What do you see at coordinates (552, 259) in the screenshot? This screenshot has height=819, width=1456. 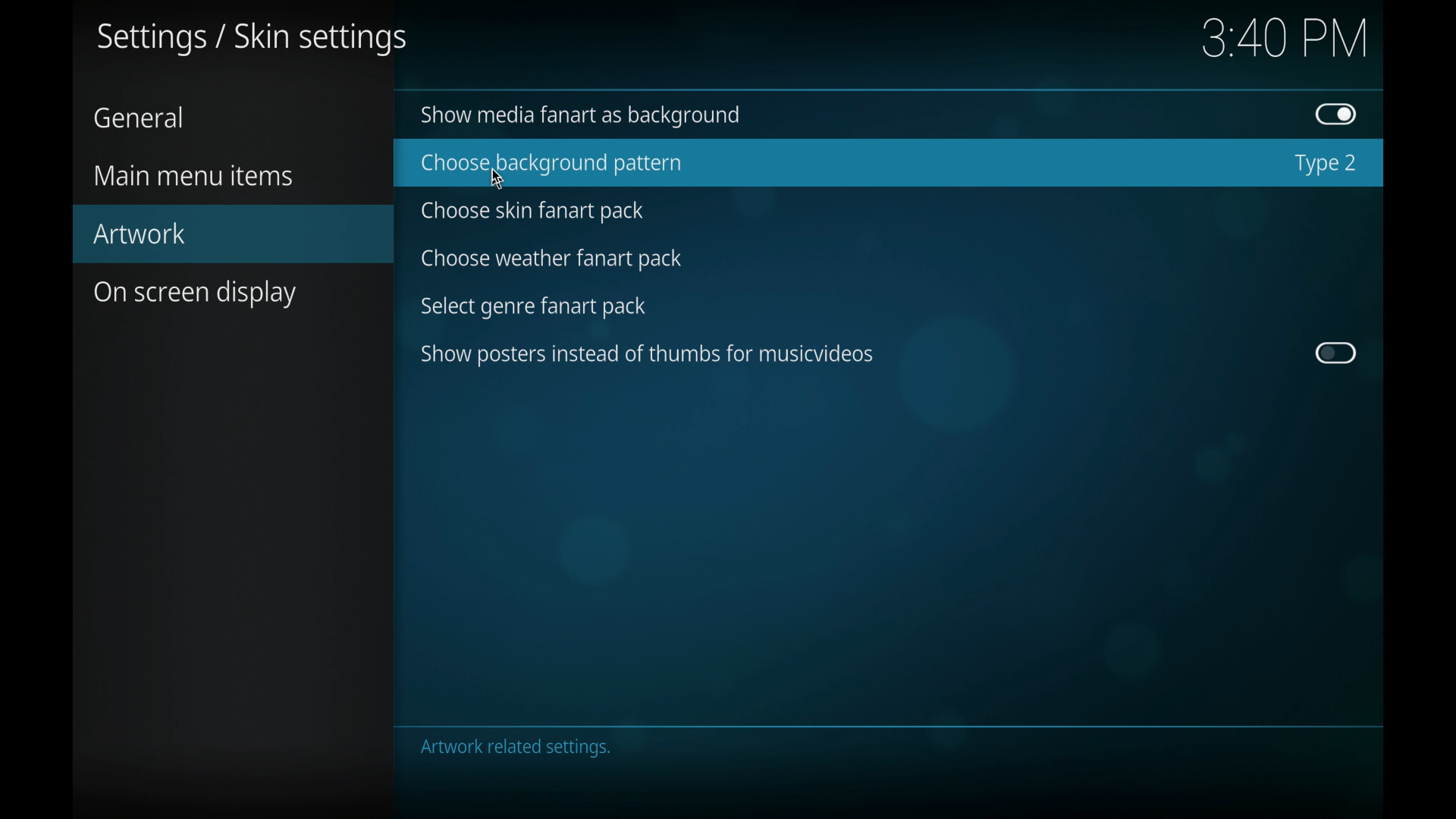 I see `choose weather fan art pack` at bounding box center [552, 259].